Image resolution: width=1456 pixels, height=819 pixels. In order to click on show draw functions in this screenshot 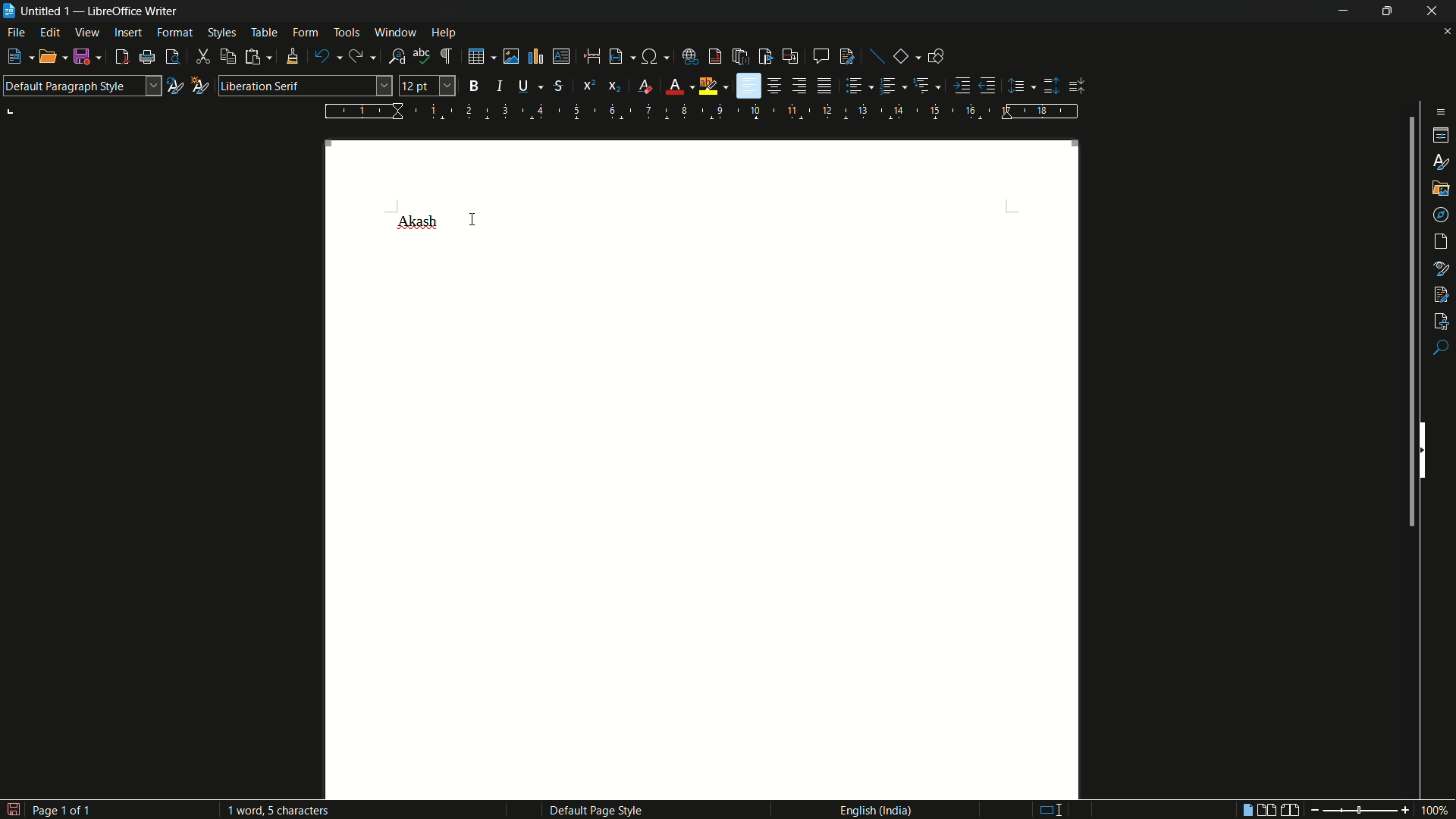, I will do `click(936, 55)`.